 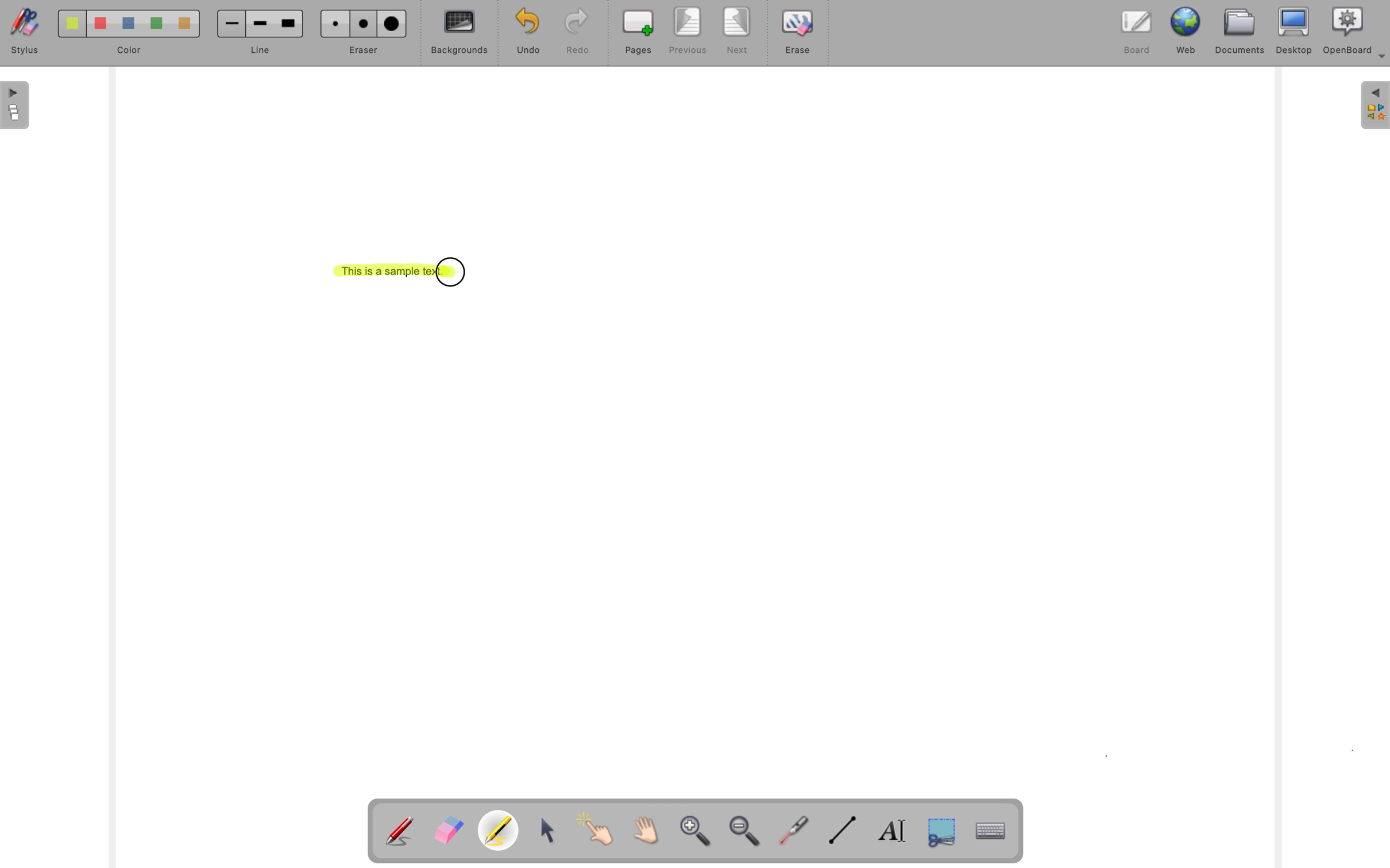 What do you see at coordinates (989, 829) in the screenshot?
I see `display virtual keyboard` at bounding box center [989, 829].